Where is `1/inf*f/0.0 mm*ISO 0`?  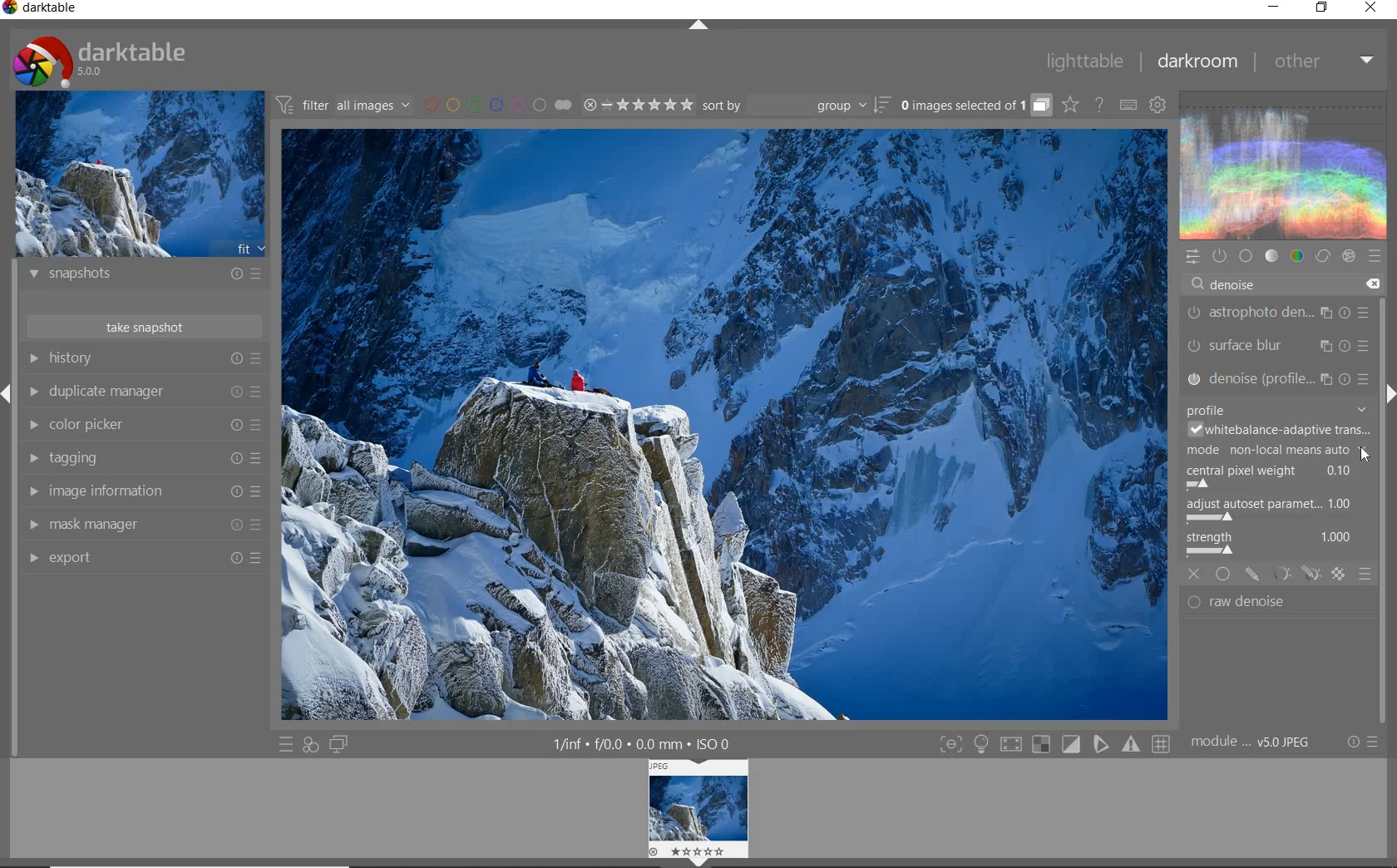 1/inf*f/0.0 mm*ISO 0 is located at coordinates (648, 743).